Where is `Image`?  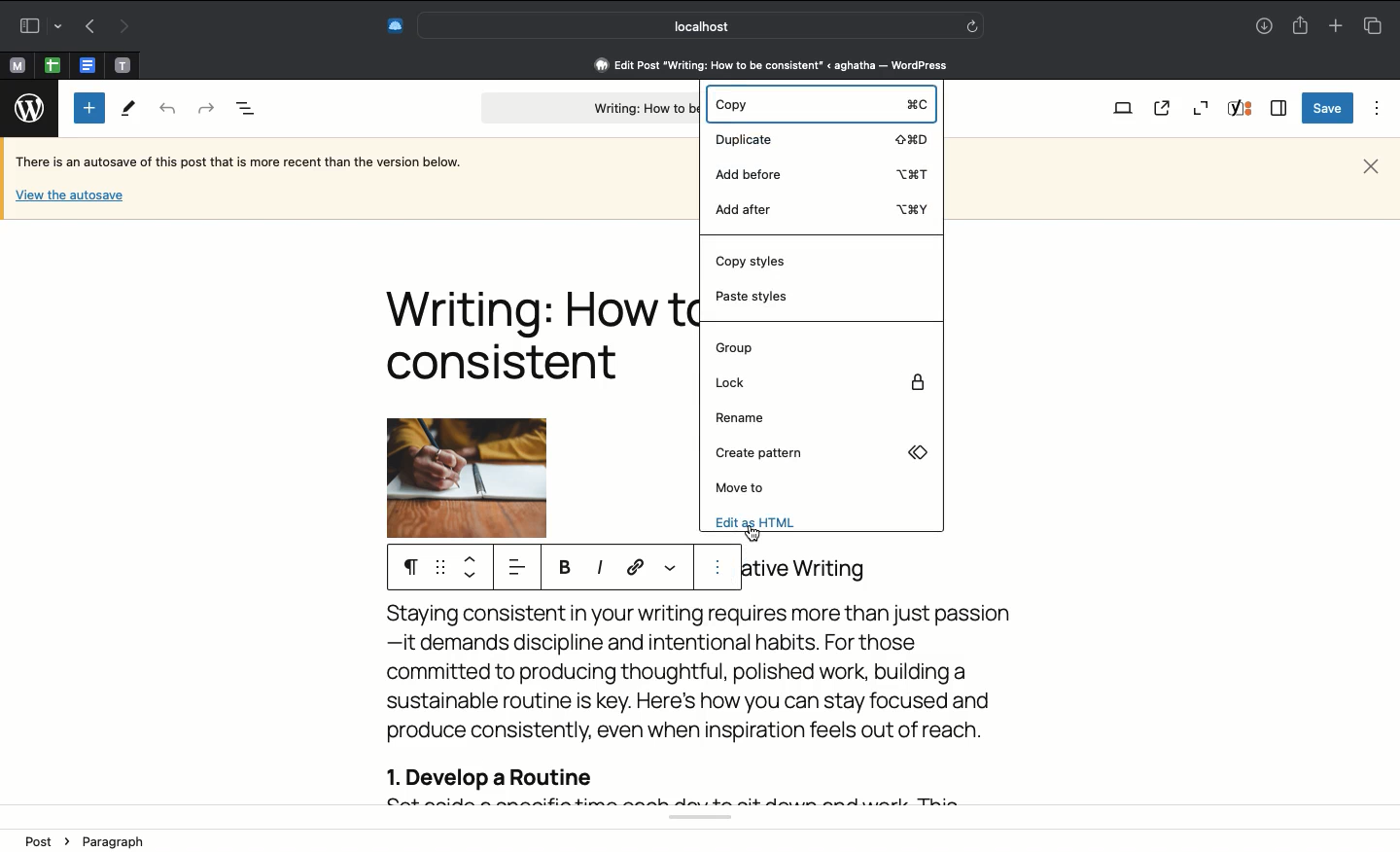 Image is located at coordinates (490, 478).